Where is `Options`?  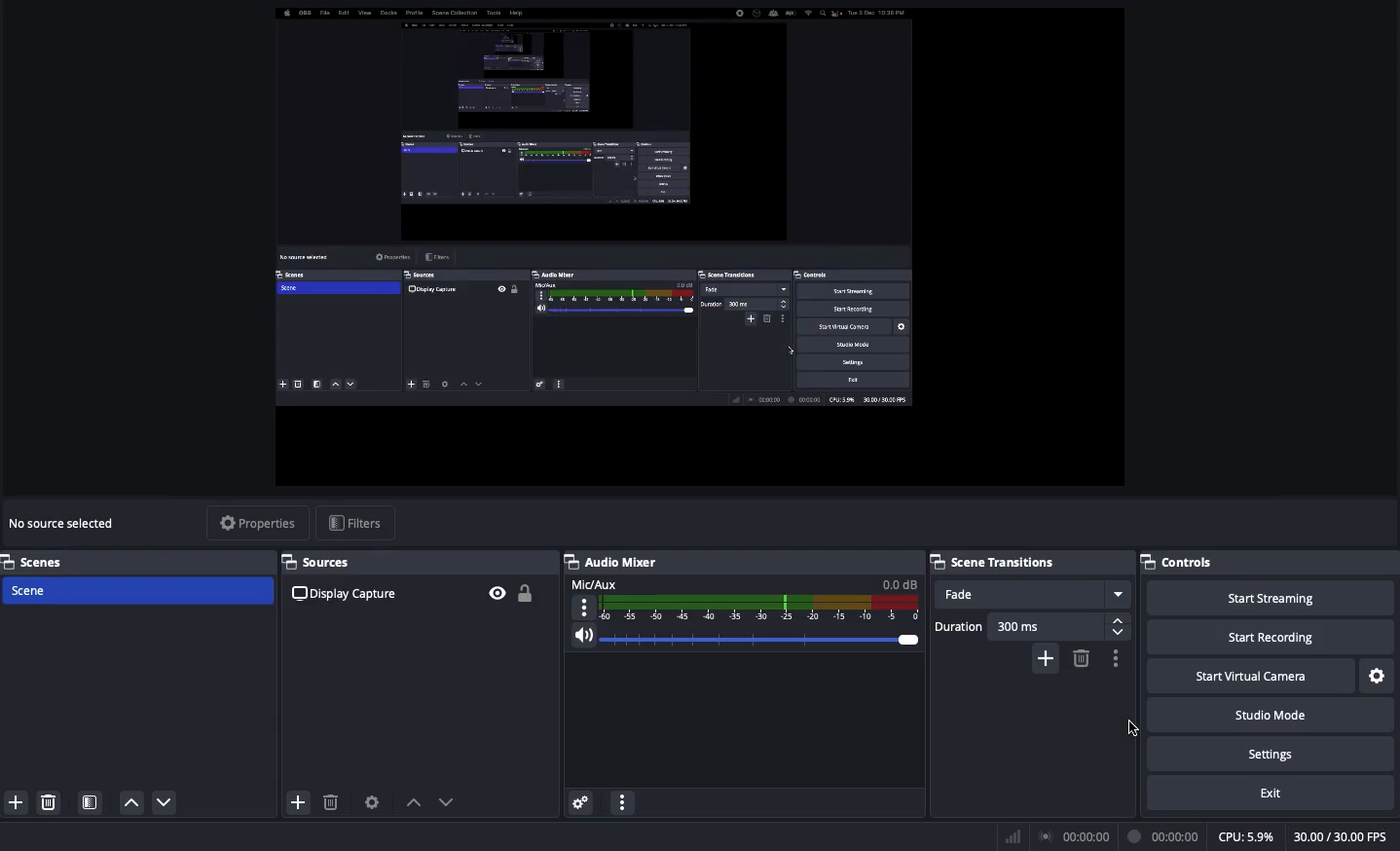 Options is located at coordinates (623, 800).